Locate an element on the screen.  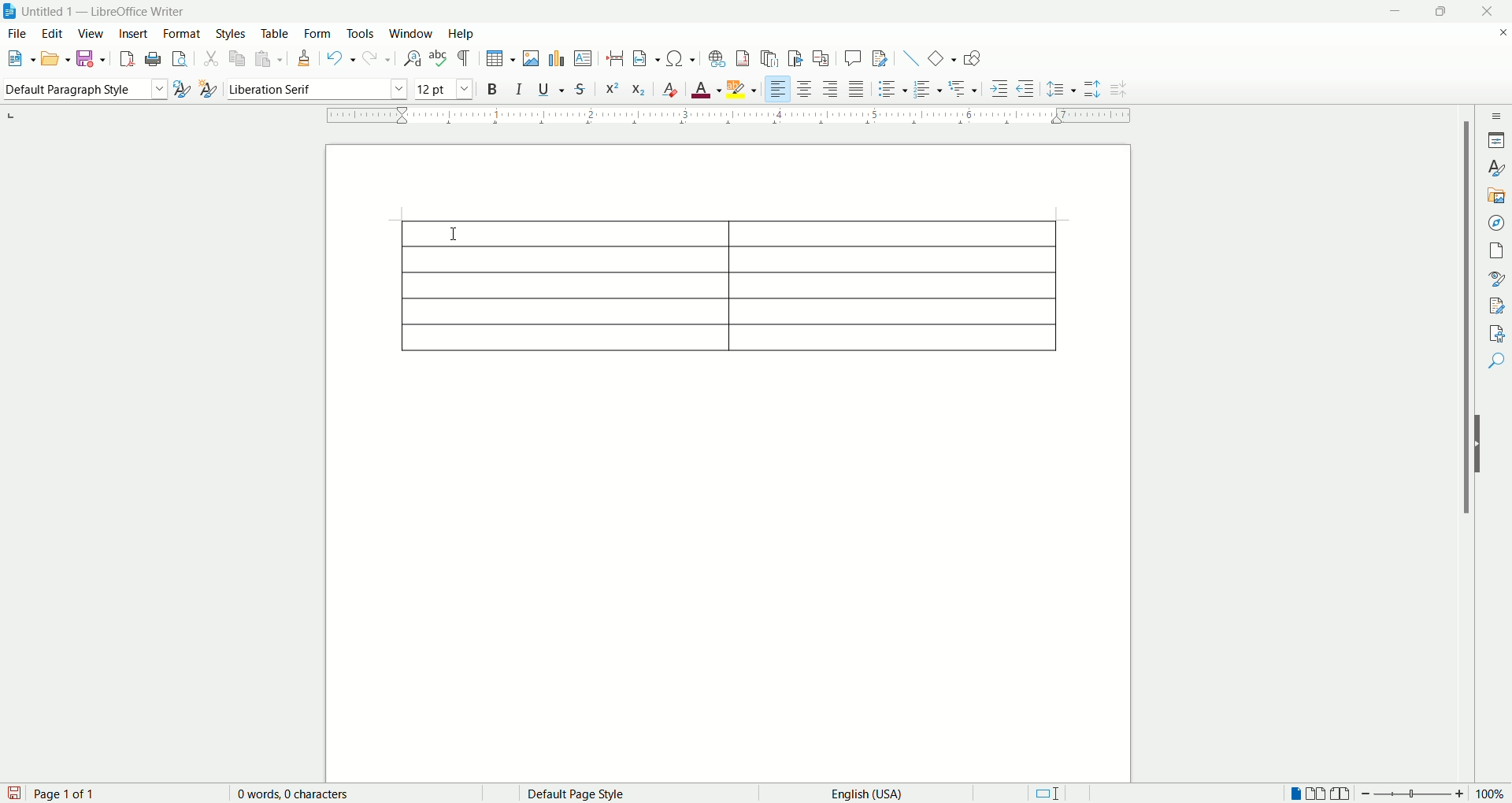
insert endnote is located at coordinates (773, 58).